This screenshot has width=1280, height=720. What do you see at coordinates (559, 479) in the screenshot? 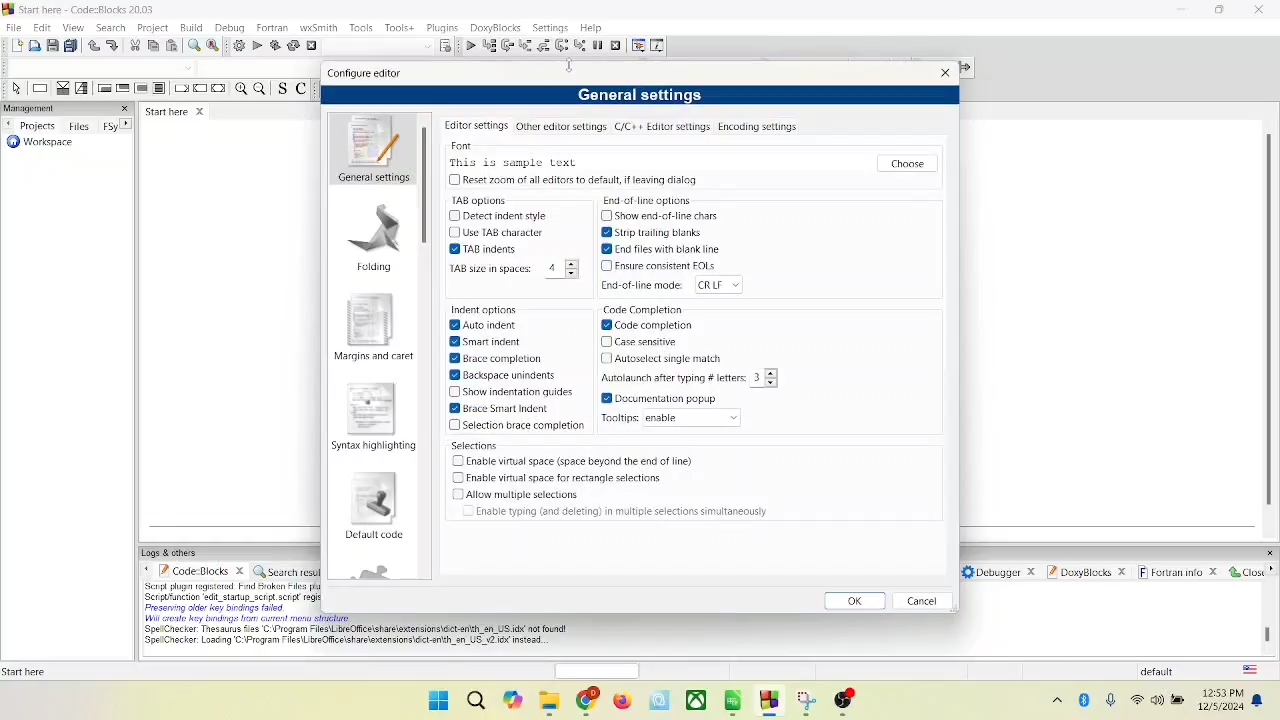
I see `enable virtual space for rectangle` at bounding box center [559, 479].